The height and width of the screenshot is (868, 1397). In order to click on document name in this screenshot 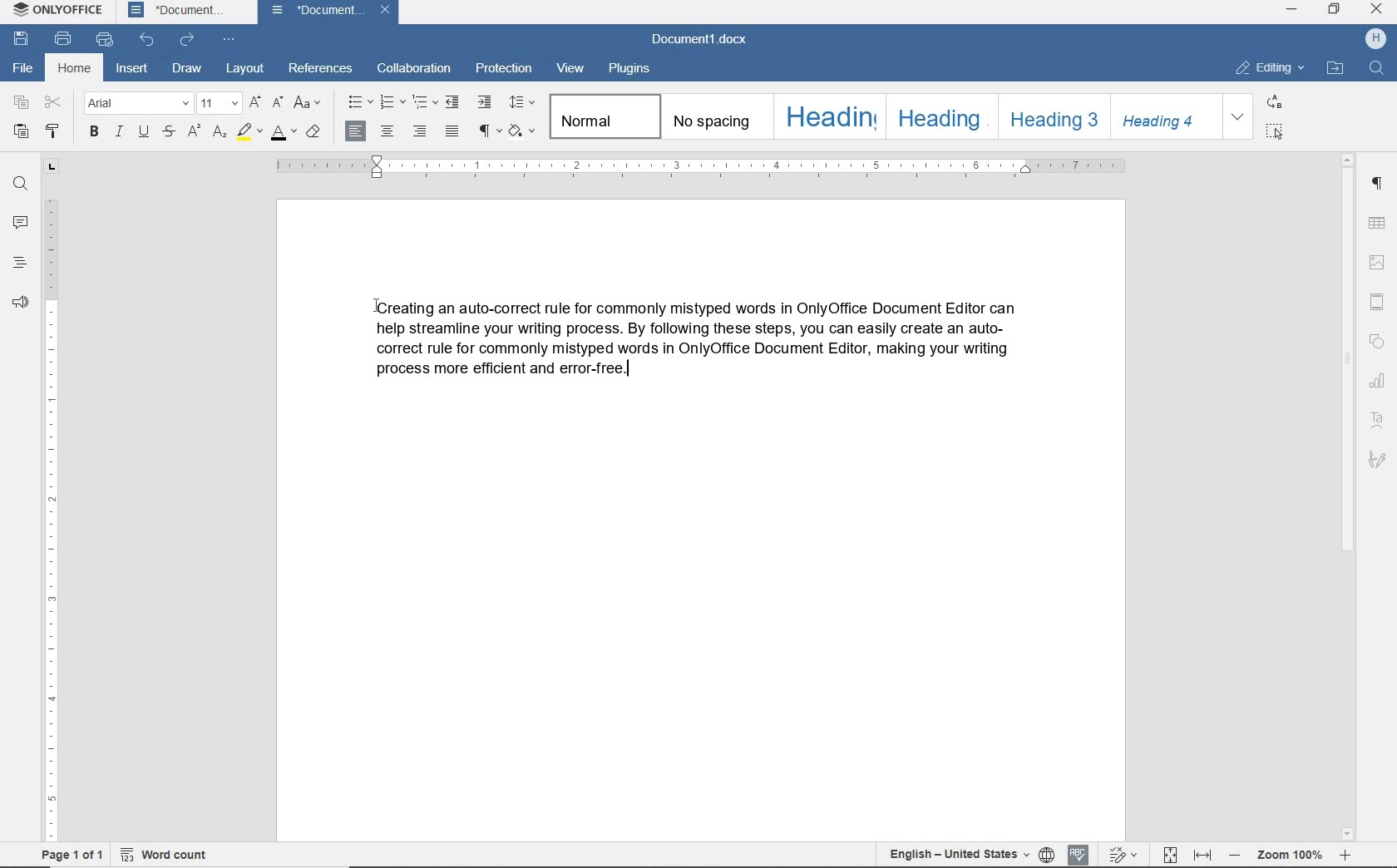, I will do `click(328, 12)`.